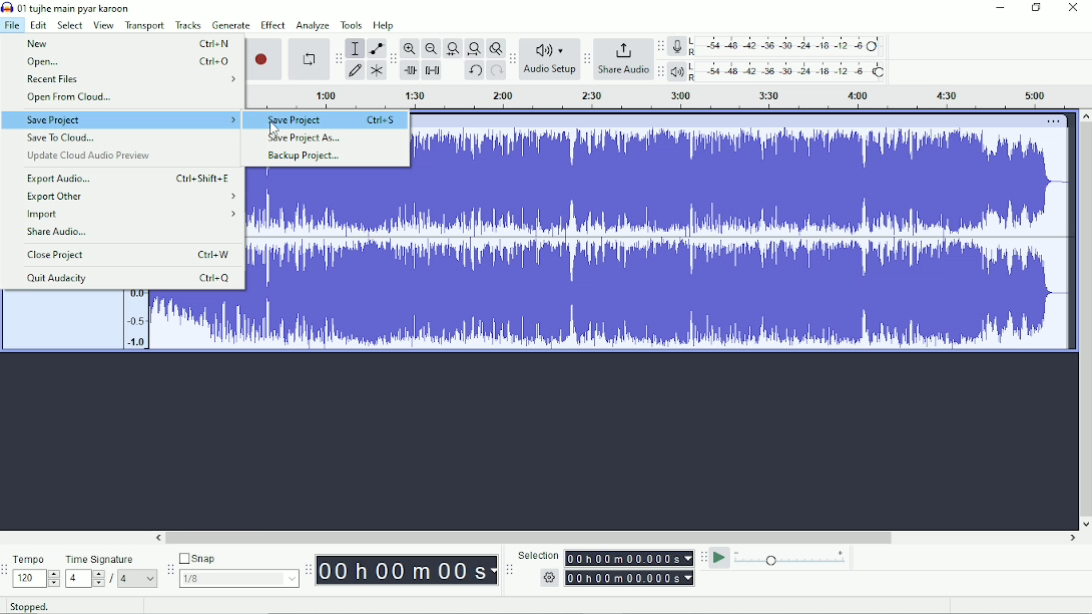 The image size is (1092, 614). I want to click on Audio Setup, so click(550, 58).